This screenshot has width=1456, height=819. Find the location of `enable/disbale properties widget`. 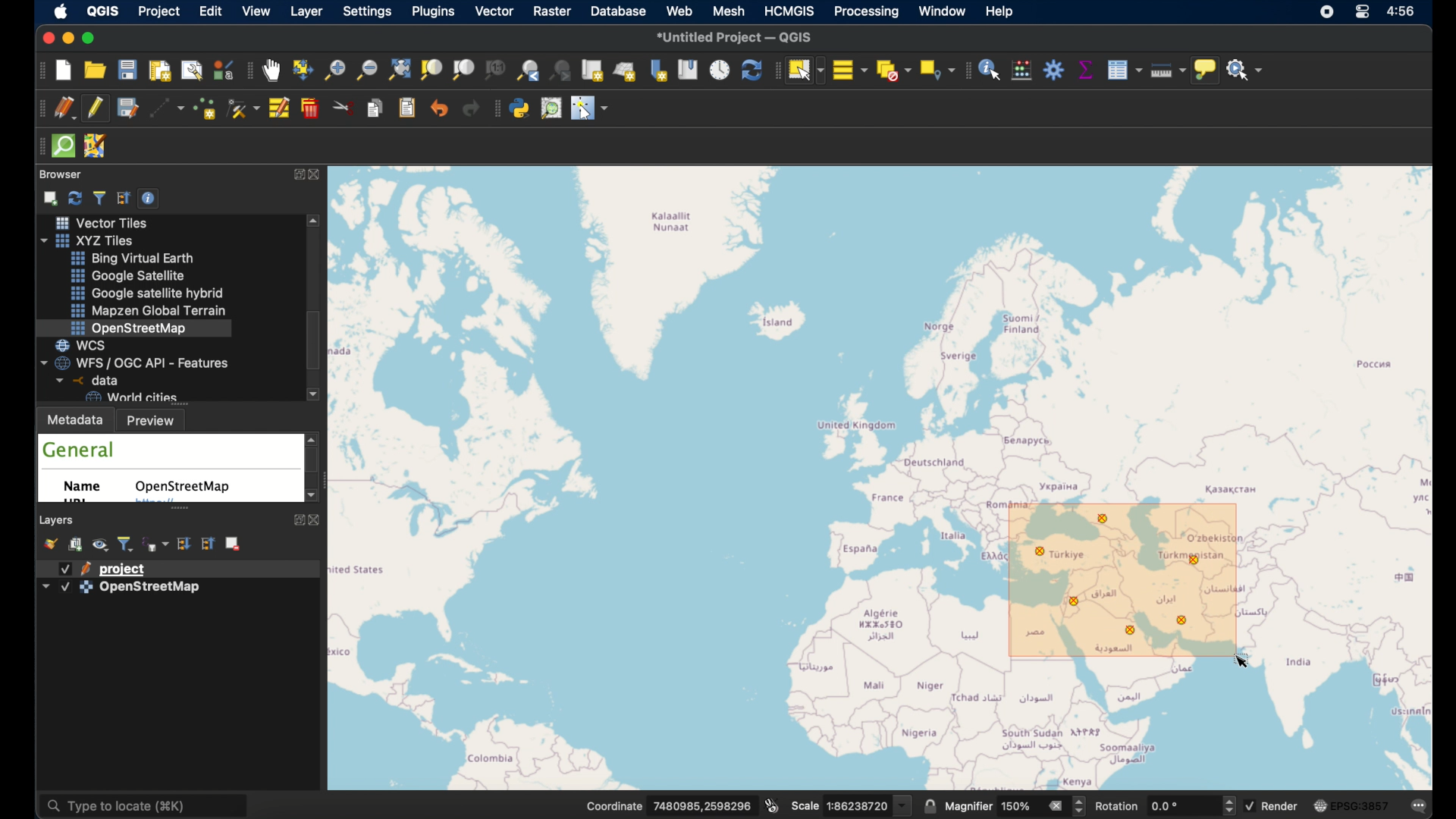

enable/disbale properties widget is located at coordinates (151, 197).